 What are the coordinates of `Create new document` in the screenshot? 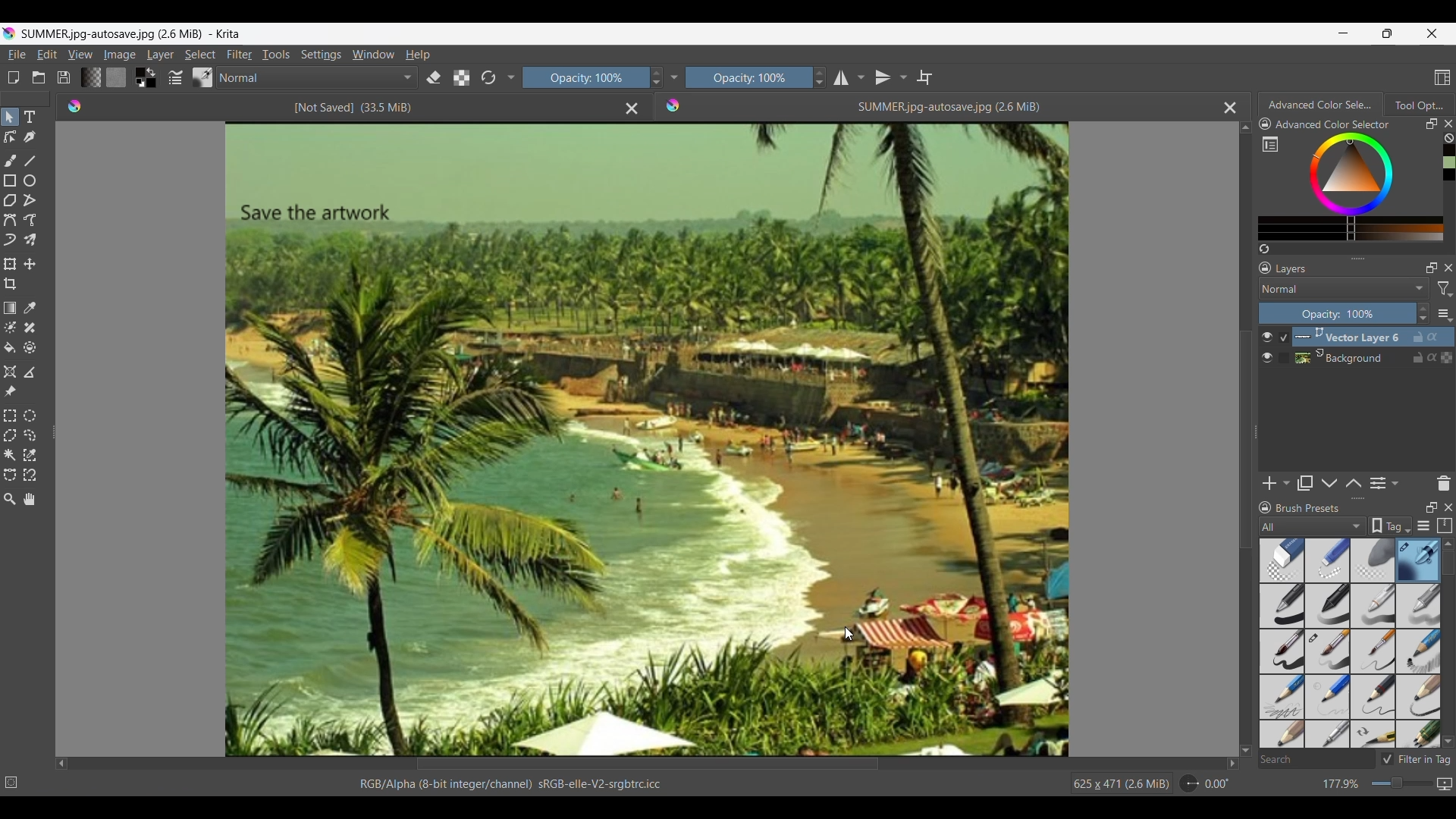 It's located at (14, 77).